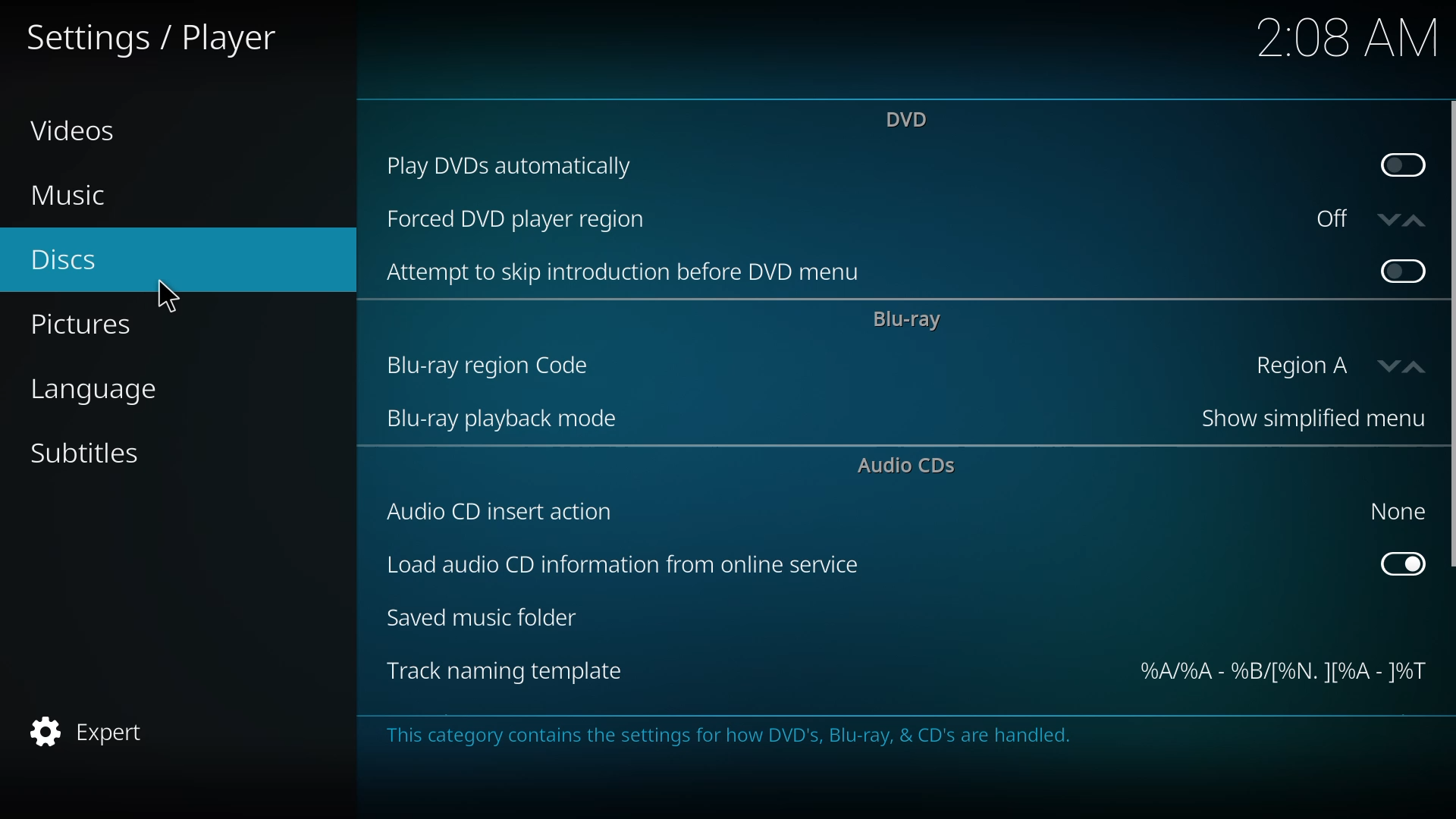 This screenshot has height=819, width=1456. Describe the element at coordinates (1303, 421) in the screenshot. I see `show simplified menu` at that location.